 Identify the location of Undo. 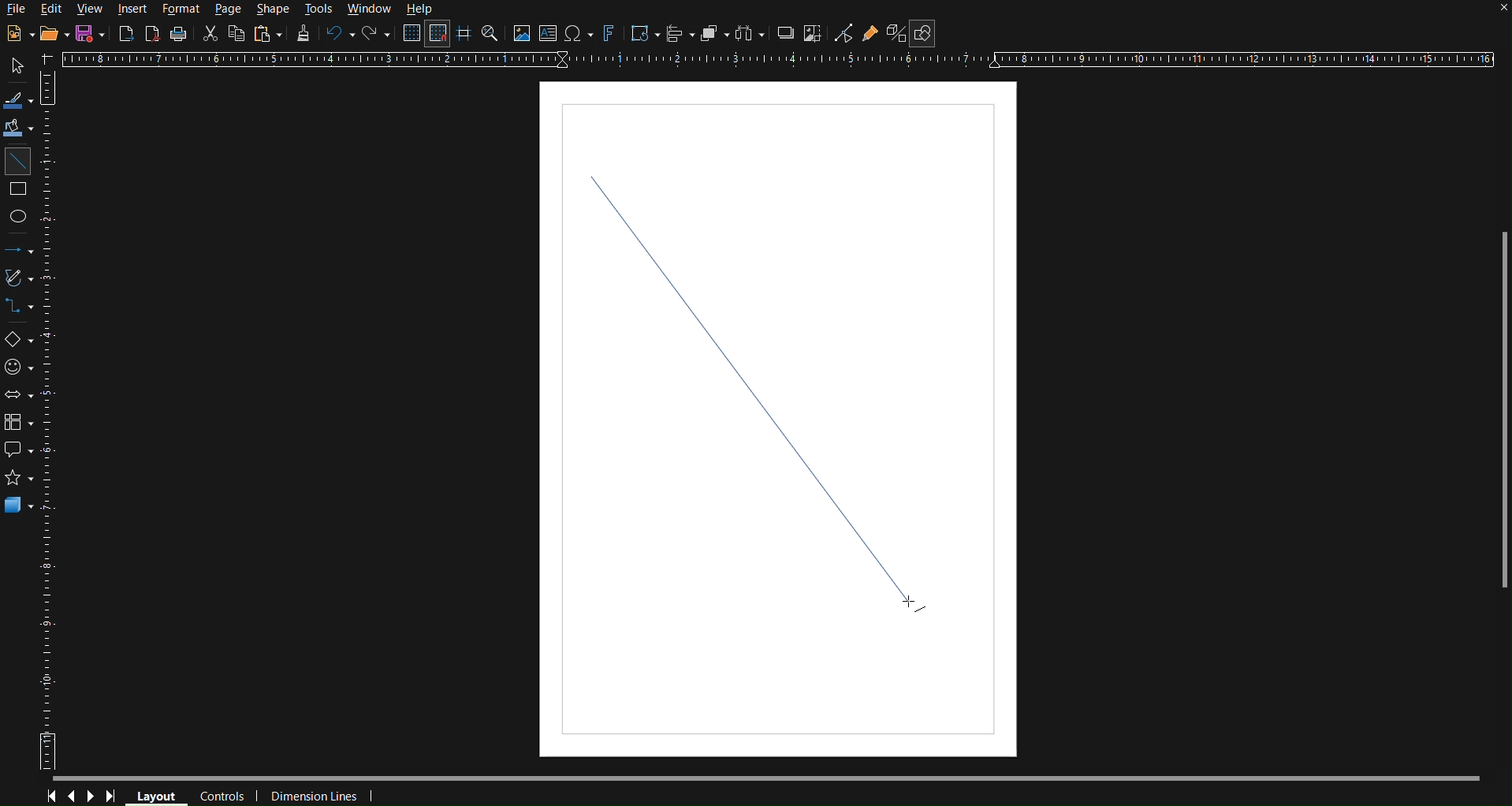
(341, 34).